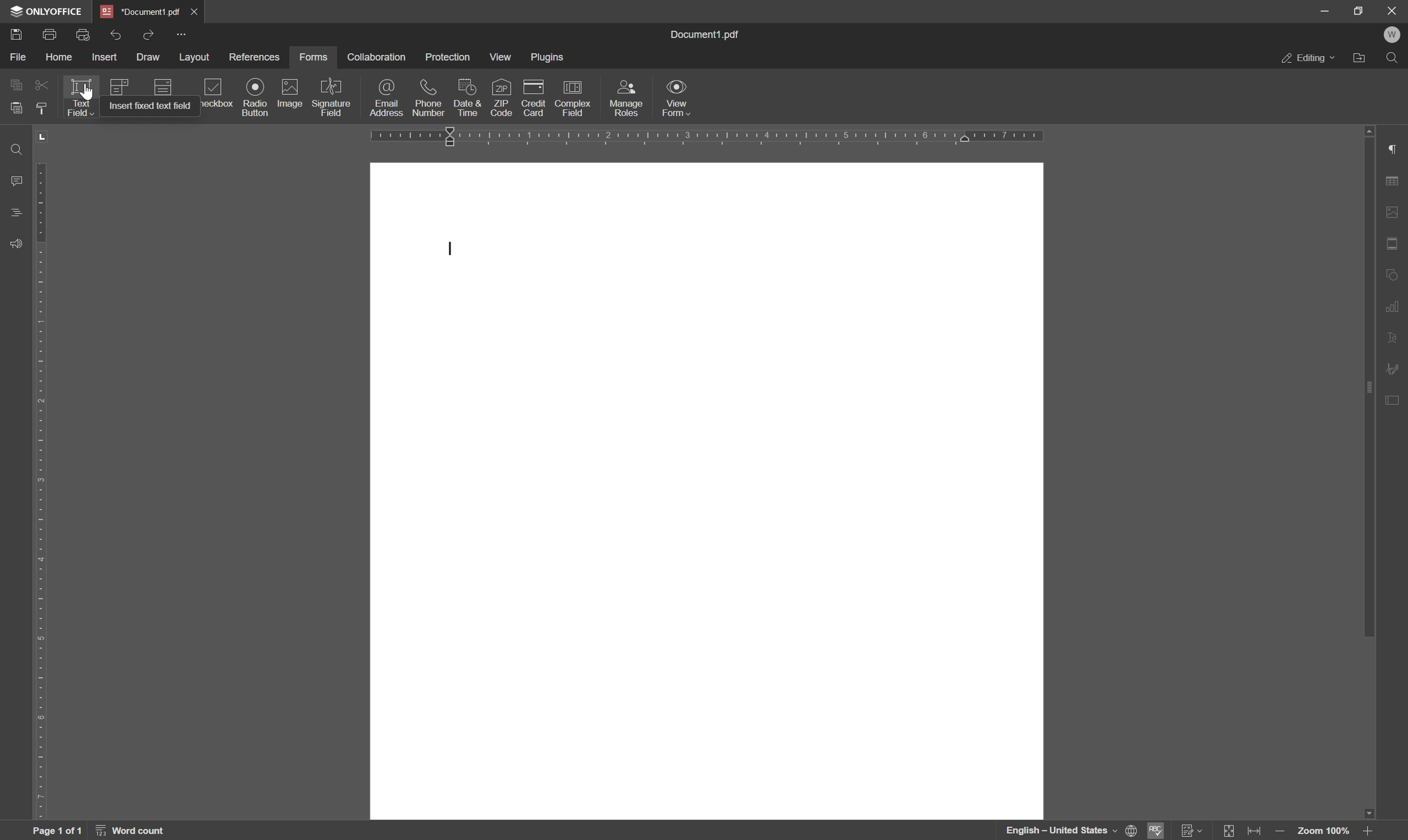 The image size is (1408, 840). Describe the element at coordinates (1392, 12) in the screenshot. I see `close` at that location.